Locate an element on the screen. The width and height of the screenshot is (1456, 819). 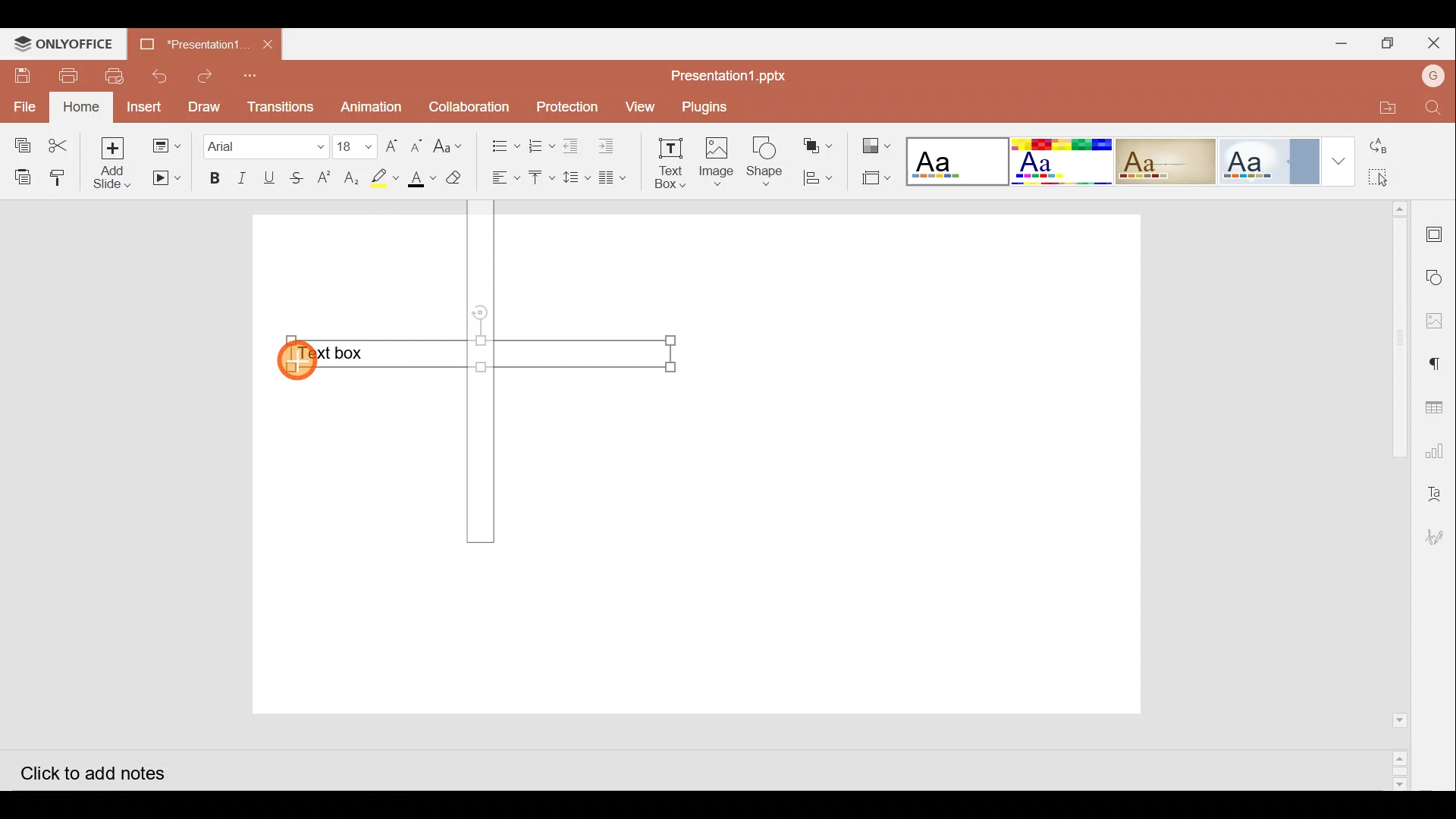
Highlight color is located at coordinates (381, 177).